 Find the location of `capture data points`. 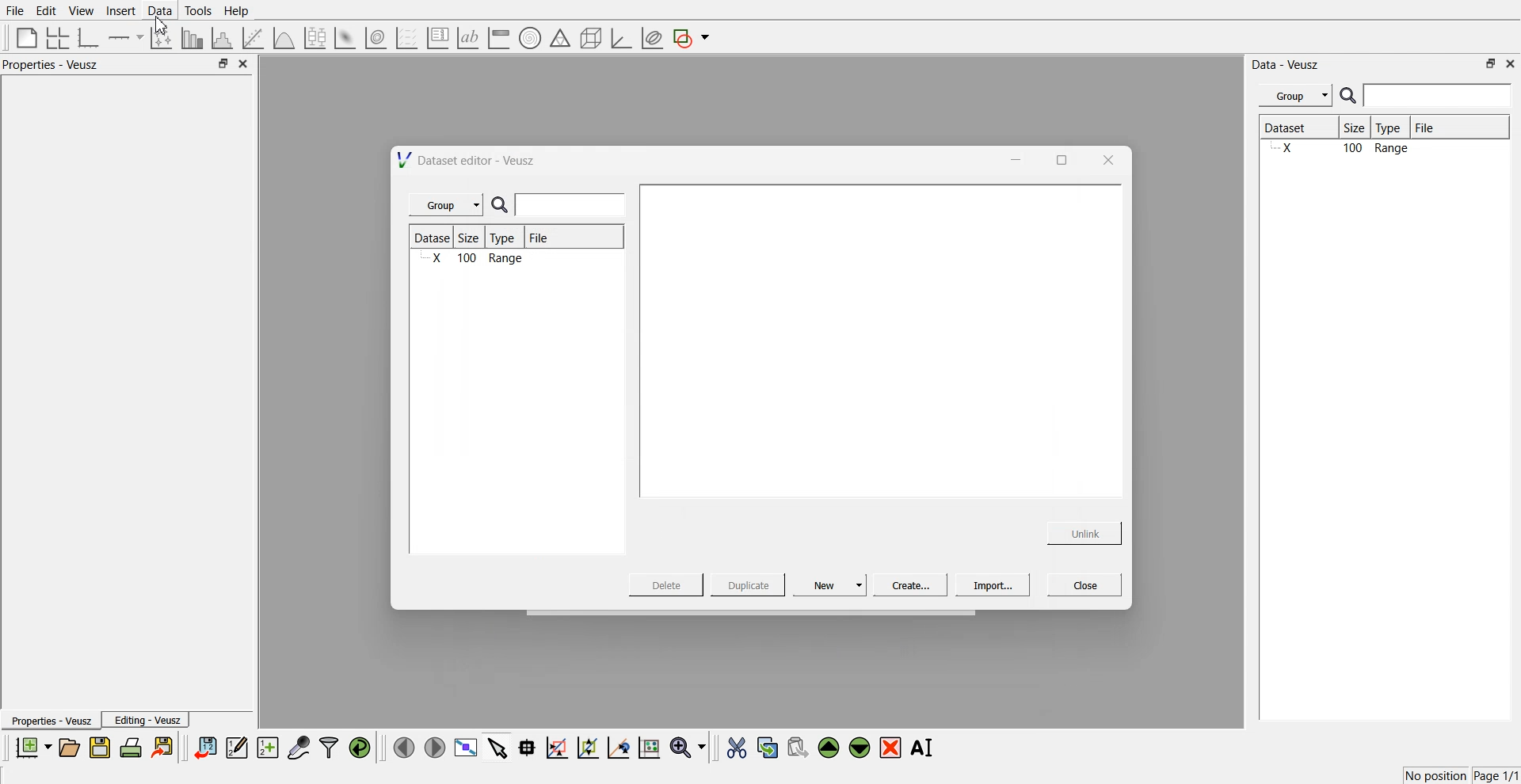

capture data points is located at coordinates (299, 748).